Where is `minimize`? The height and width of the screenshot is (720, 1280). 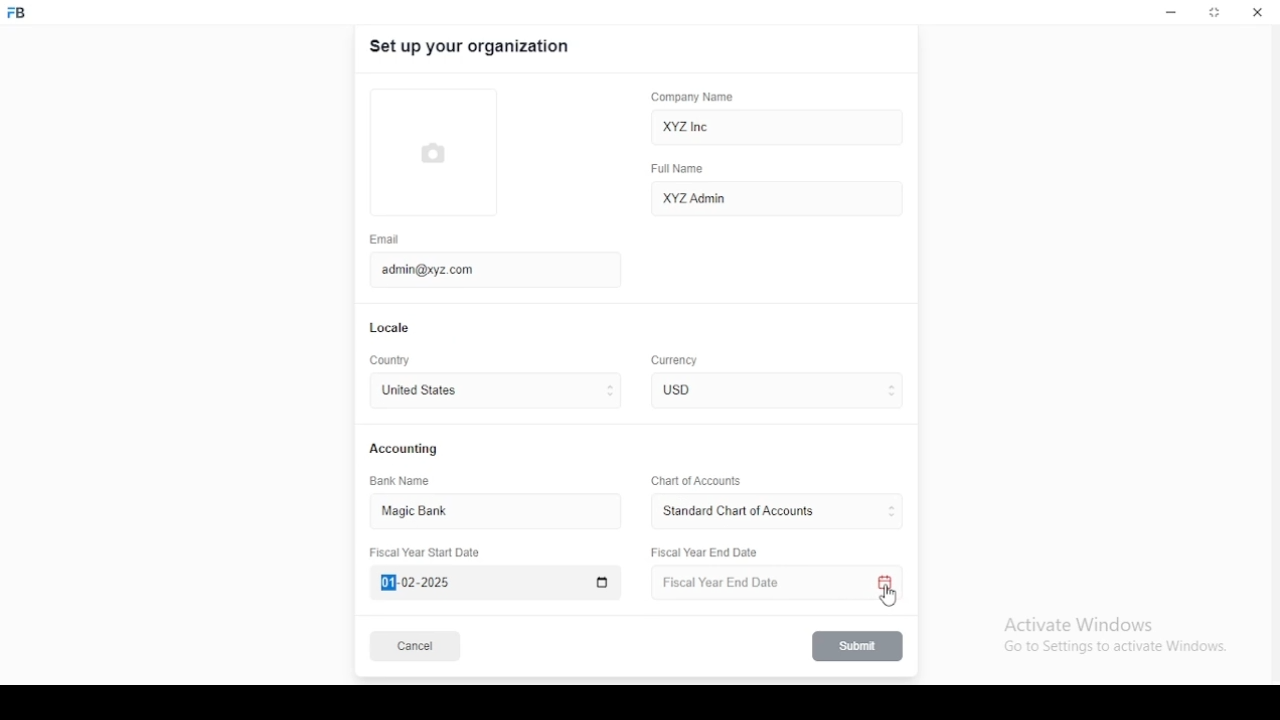 minimize is located at coordinates (1171, 13).